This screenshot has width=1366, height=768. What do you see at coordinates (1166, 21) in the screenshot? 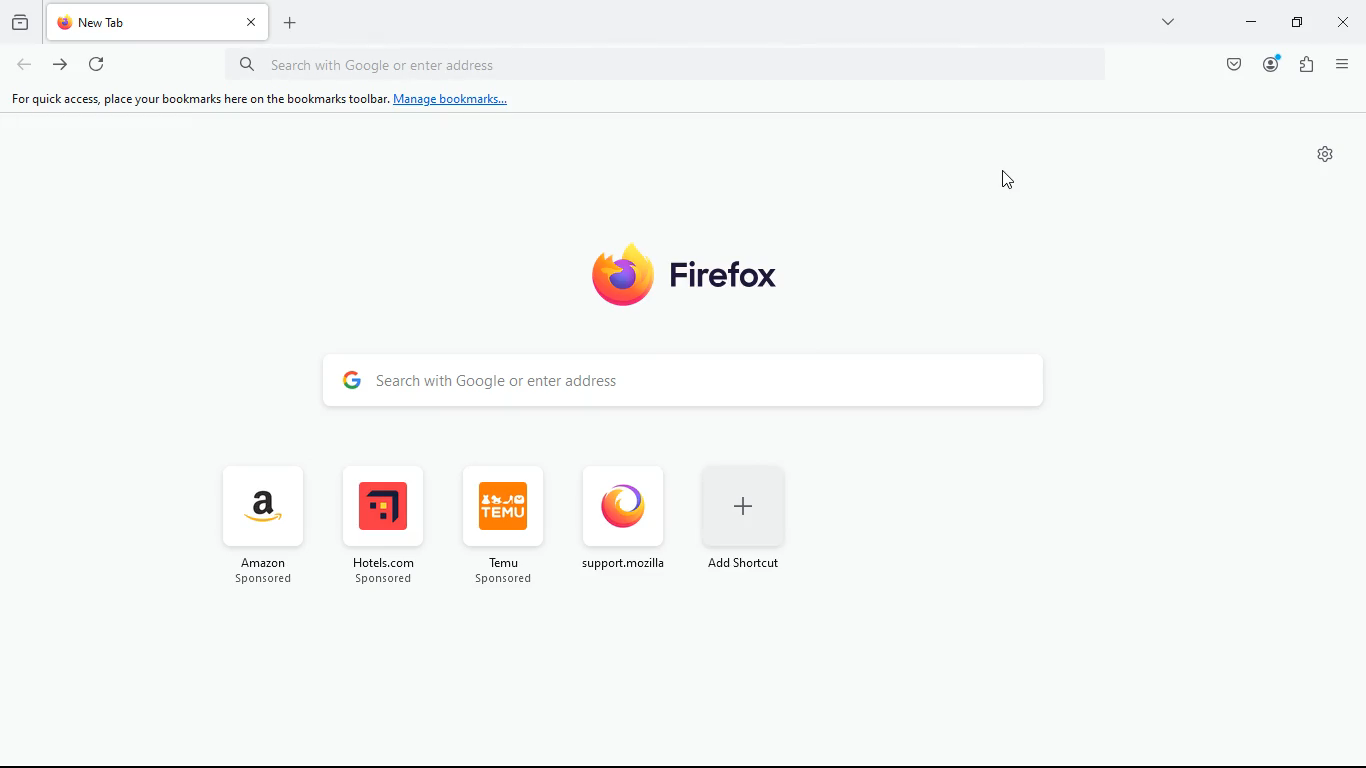
I see `more` at bounding box center [1166, 21].